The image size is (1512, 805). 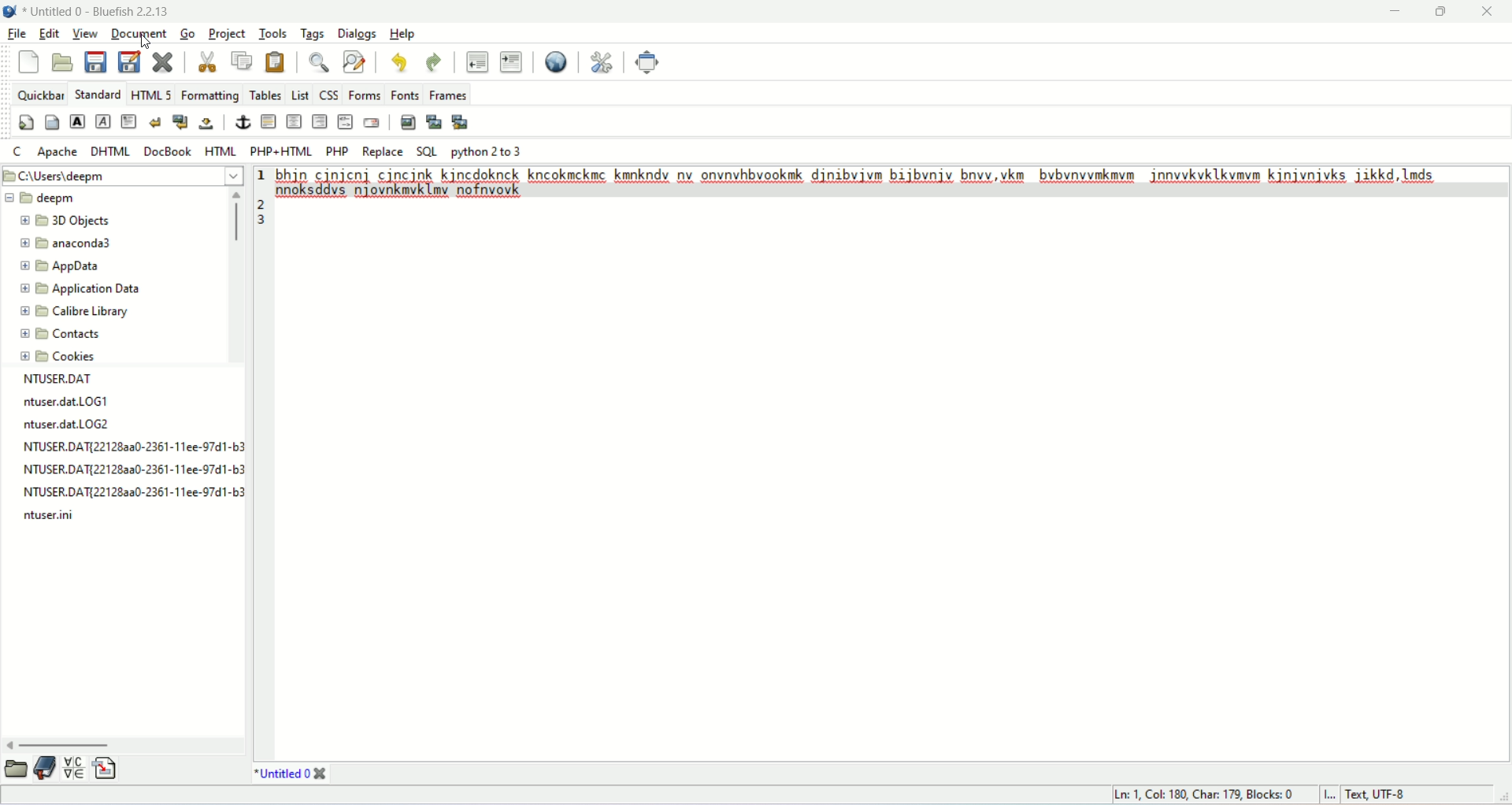 What do you see at coordinates (322, 124) in the screenshot?
I see `right justify` at bounding box center [322, 124].